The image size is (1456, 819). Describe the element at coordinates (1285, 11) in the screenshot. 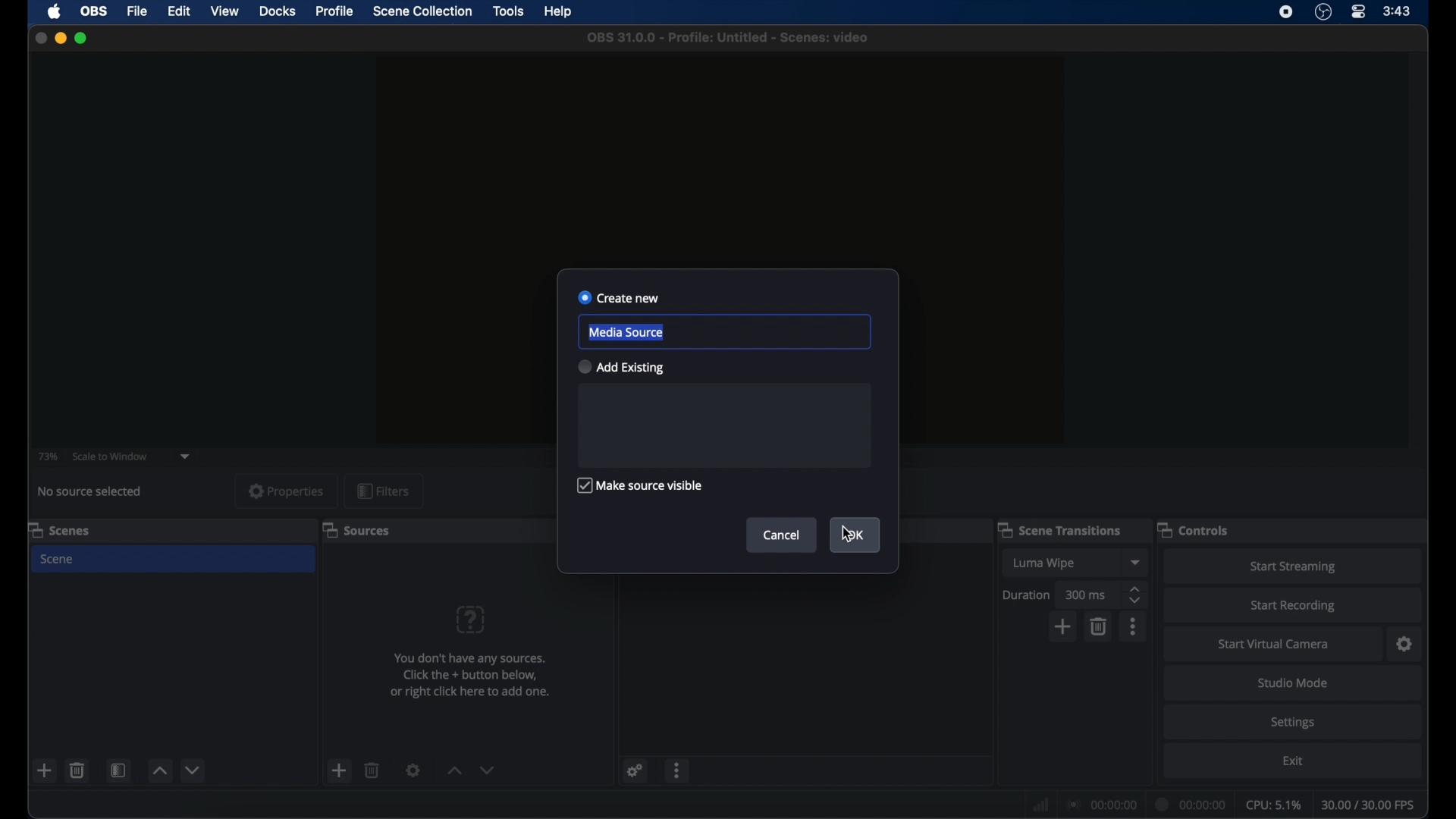

I see `screen recorder icon` at that location.